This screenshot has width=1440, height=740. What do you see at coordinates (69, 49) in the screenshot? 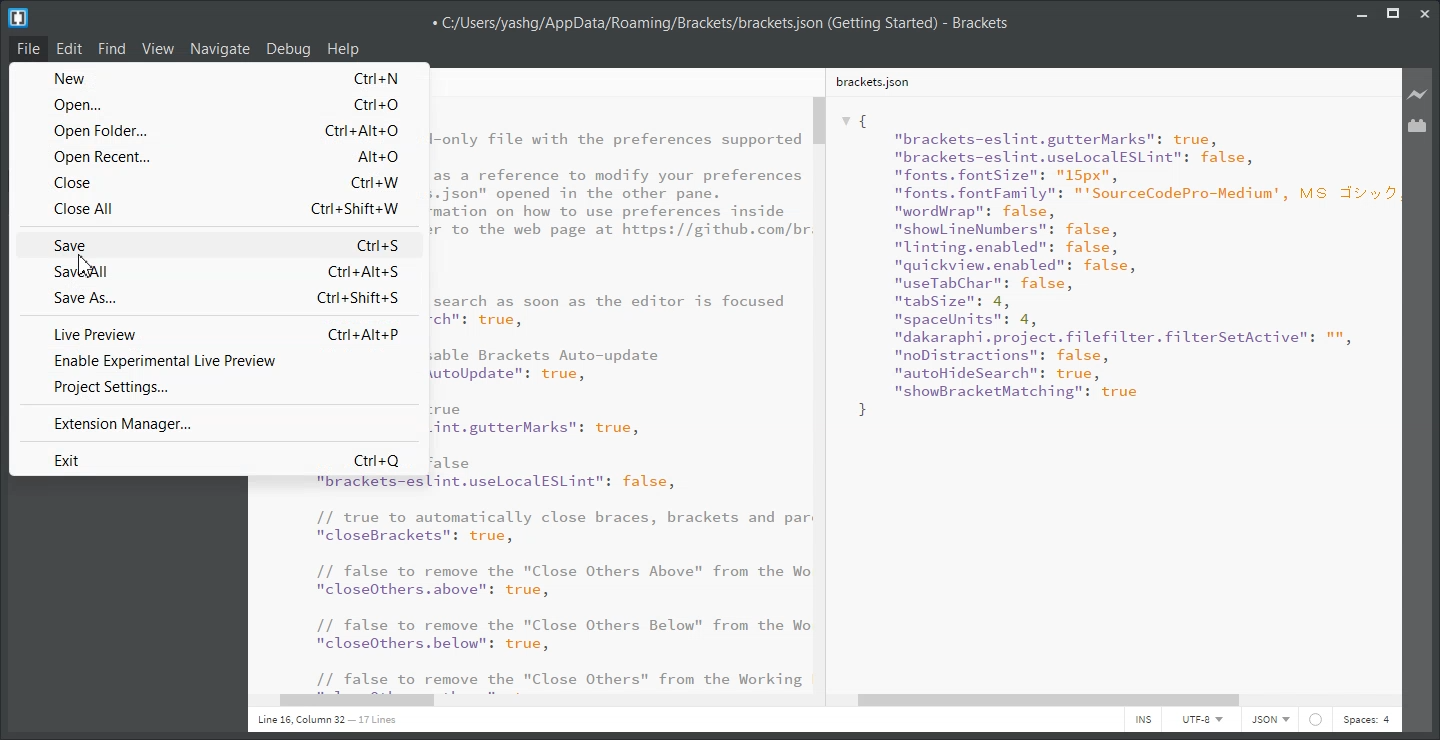
I see `Edit` at bounding box center [69, 49].